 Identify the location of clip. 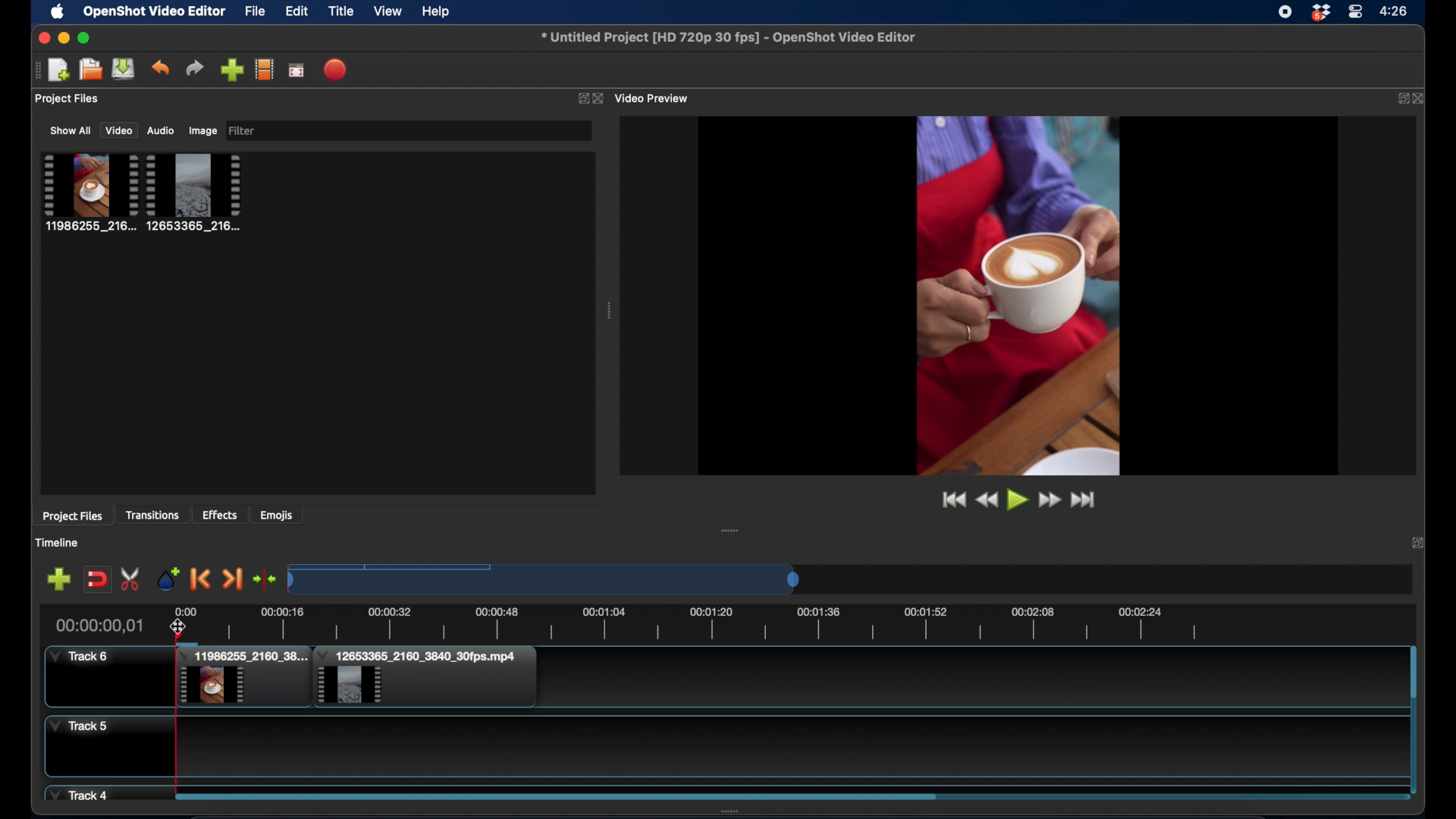
(425, 677).